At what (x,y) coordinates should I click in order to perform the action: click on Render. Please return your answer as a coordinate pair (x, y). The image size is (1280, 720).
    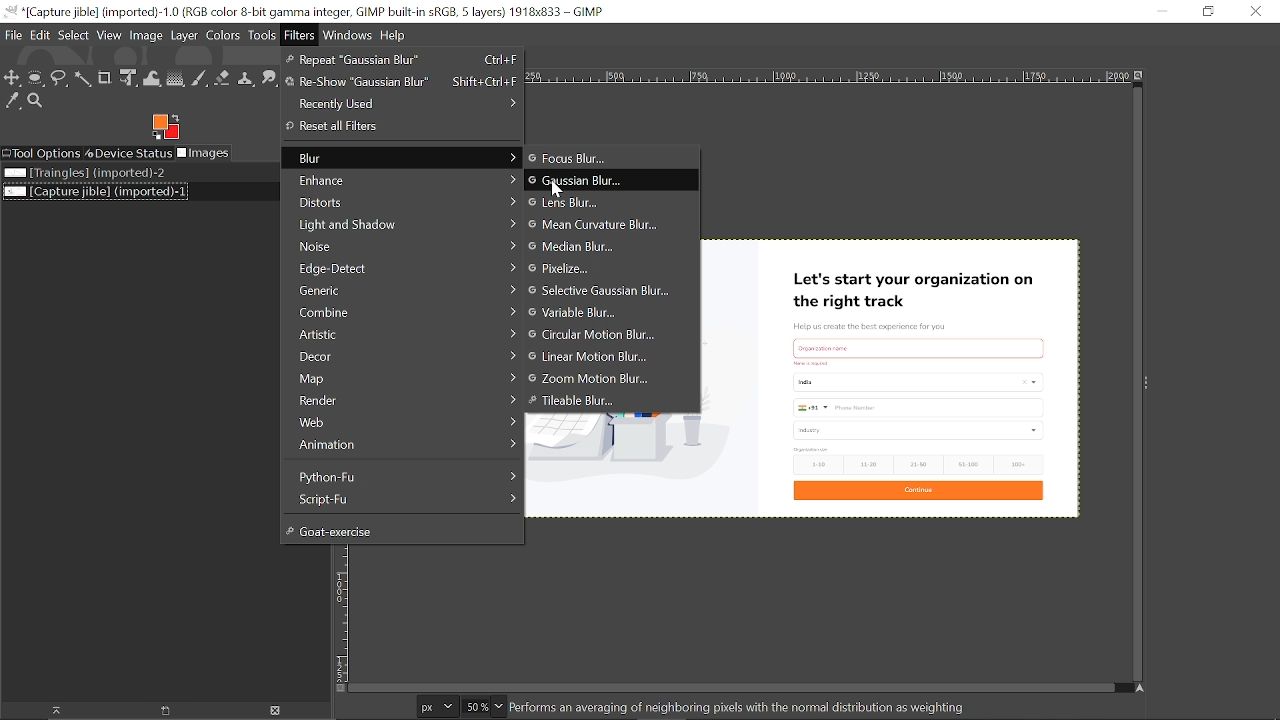
    Looking at the image, I should click on (403, 401).